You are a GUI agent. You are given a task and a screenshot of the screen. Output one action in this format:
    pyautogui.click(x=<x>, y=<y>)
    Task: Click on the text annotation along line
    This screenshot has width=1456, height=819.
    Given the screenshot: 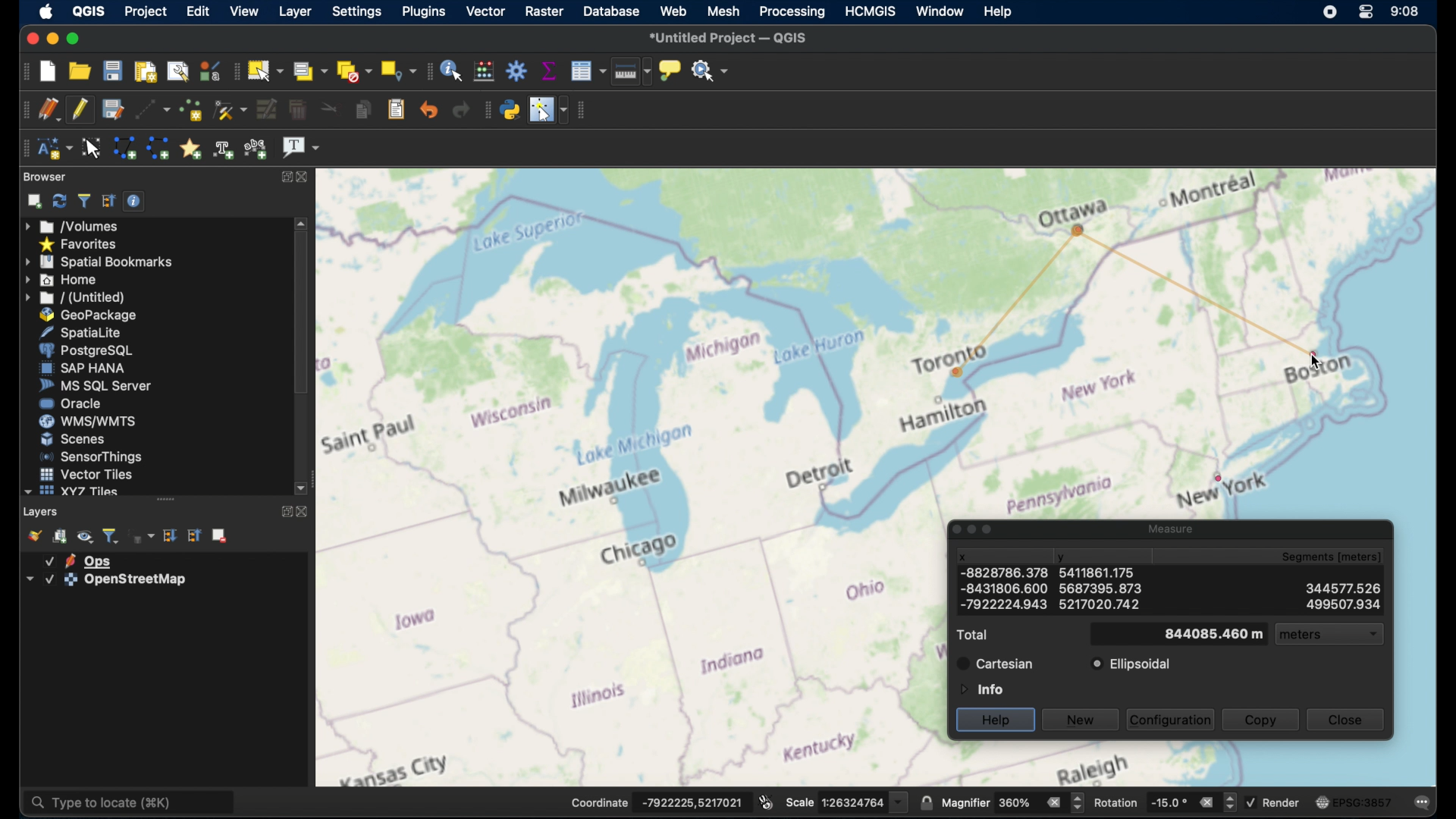 What is the action you would take?
    pyautogui.click(x=258, y=148)
    